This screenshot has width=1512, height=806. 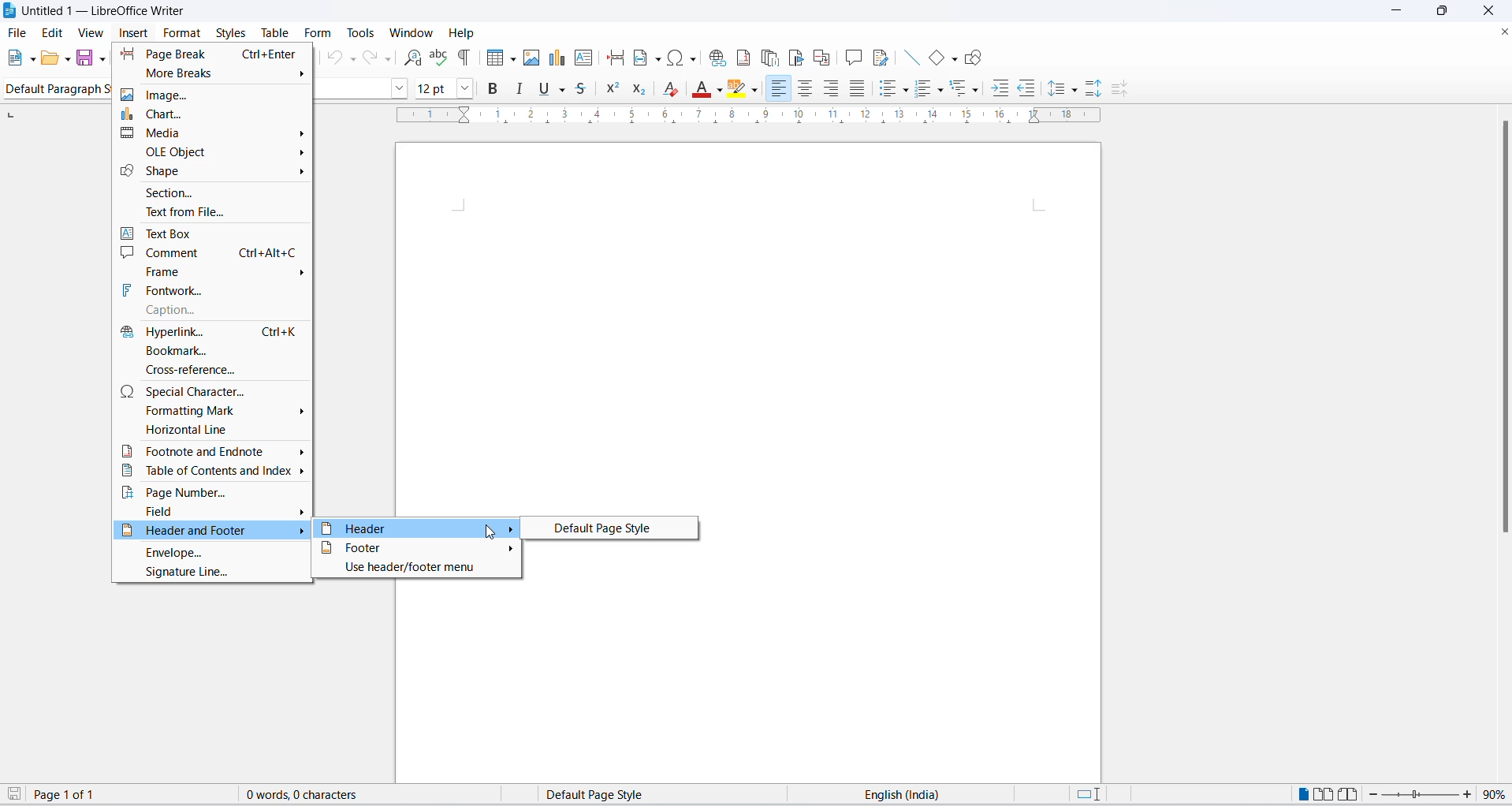 What do you see at coordinates (91, 32) in the screenshot?
I see `view` at bounding box center [91, 32].